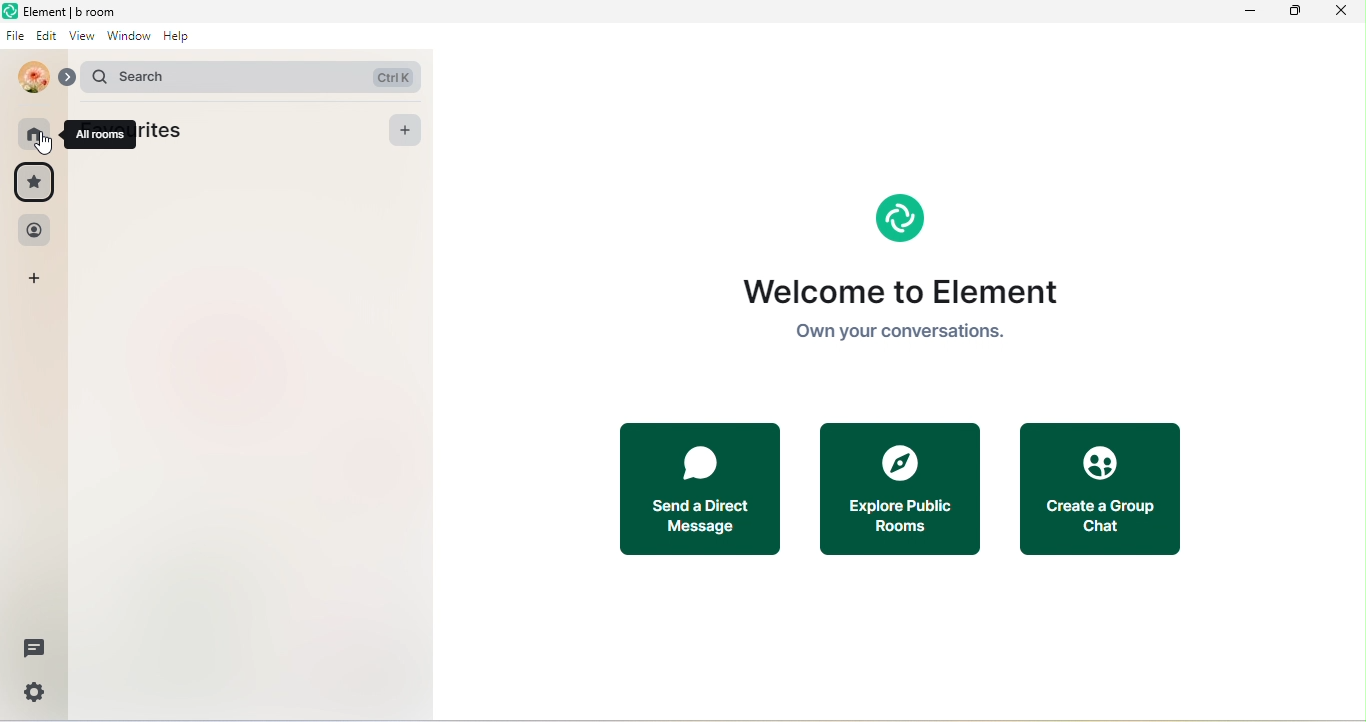  What do you see at coordinates (897, 216) in the screenshot?
I see `logo` at bounding box center [897, 216].